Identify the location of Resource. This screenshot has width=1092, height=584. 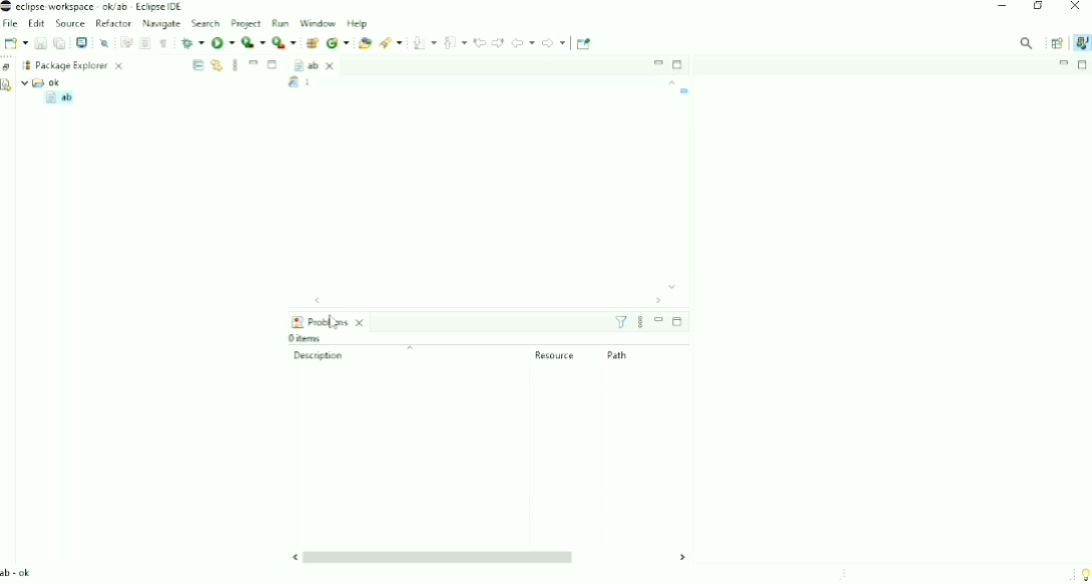
(555, 355).